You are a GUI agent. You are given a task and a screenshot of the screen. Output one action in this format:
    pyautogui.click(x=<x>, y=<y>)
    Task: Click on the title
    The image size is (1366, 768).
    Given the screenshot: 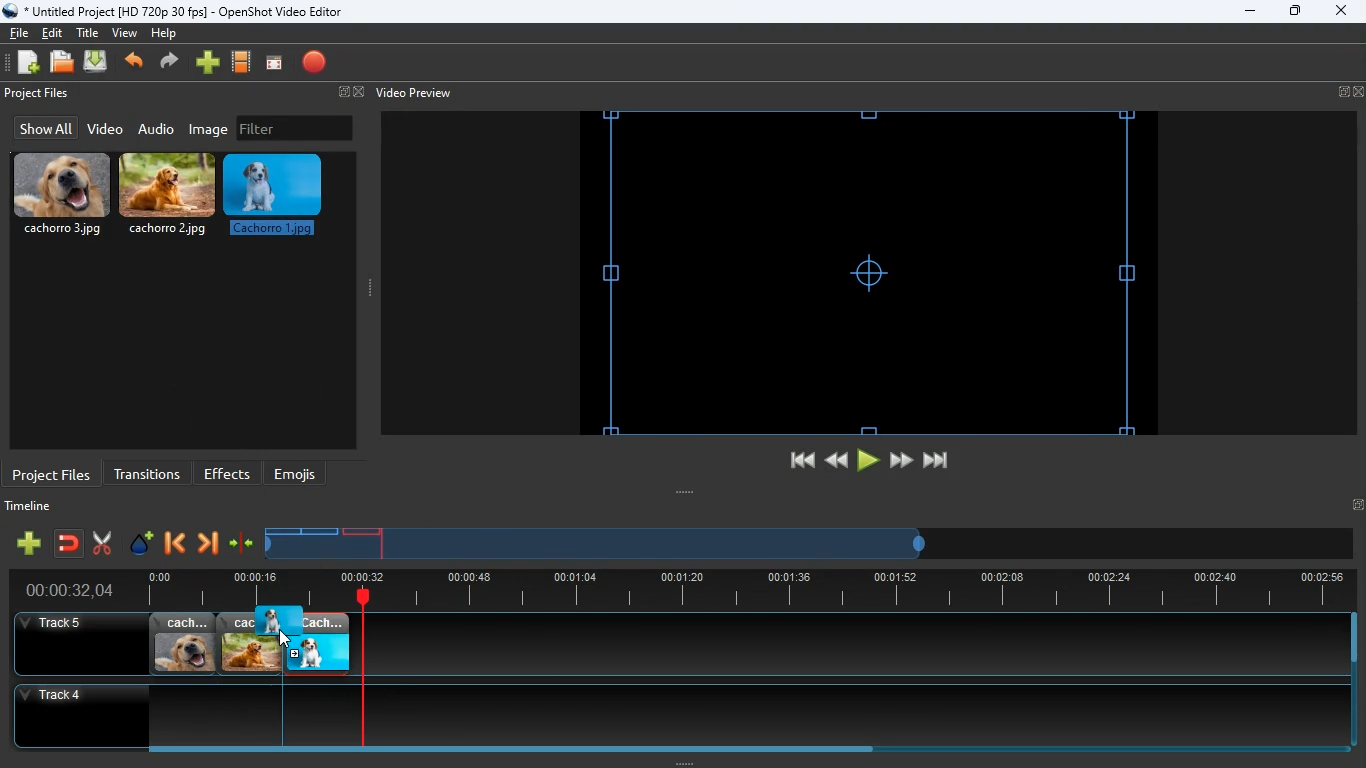 What is the action you would take?
    pyautogui.click(x=90, y=32)
    